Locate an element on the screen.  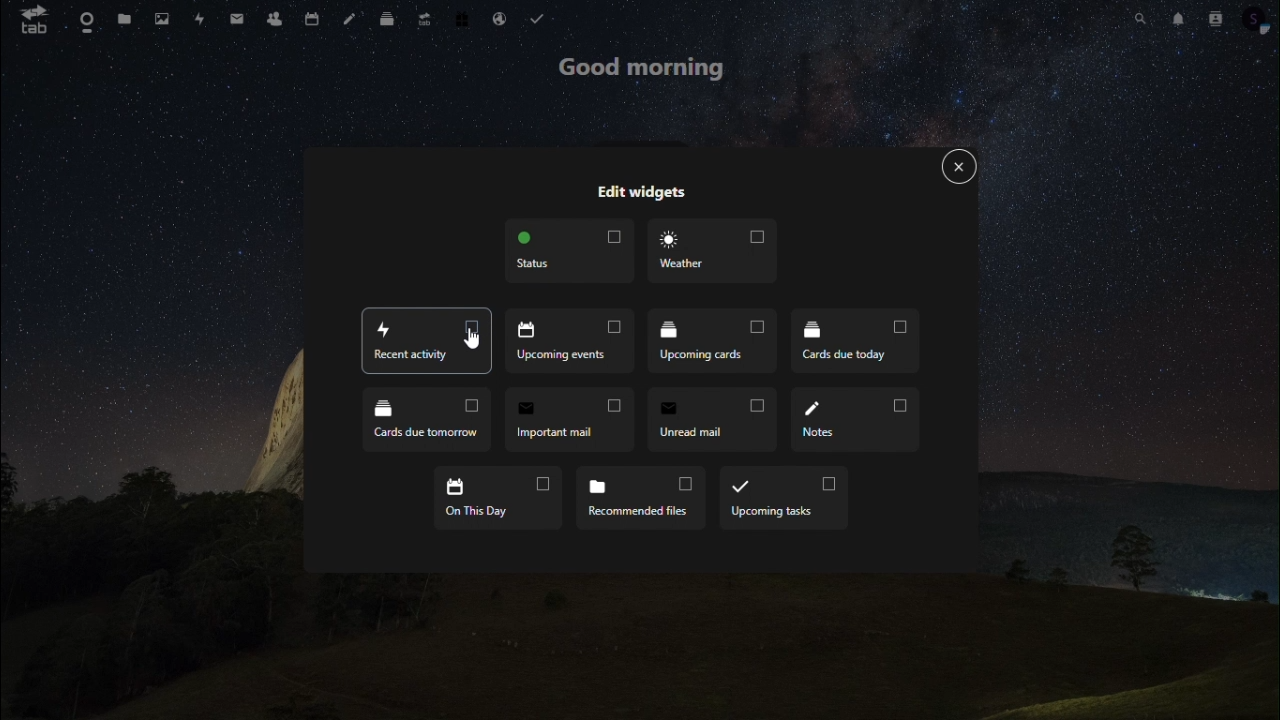
status is located at coordinates (572, 255).